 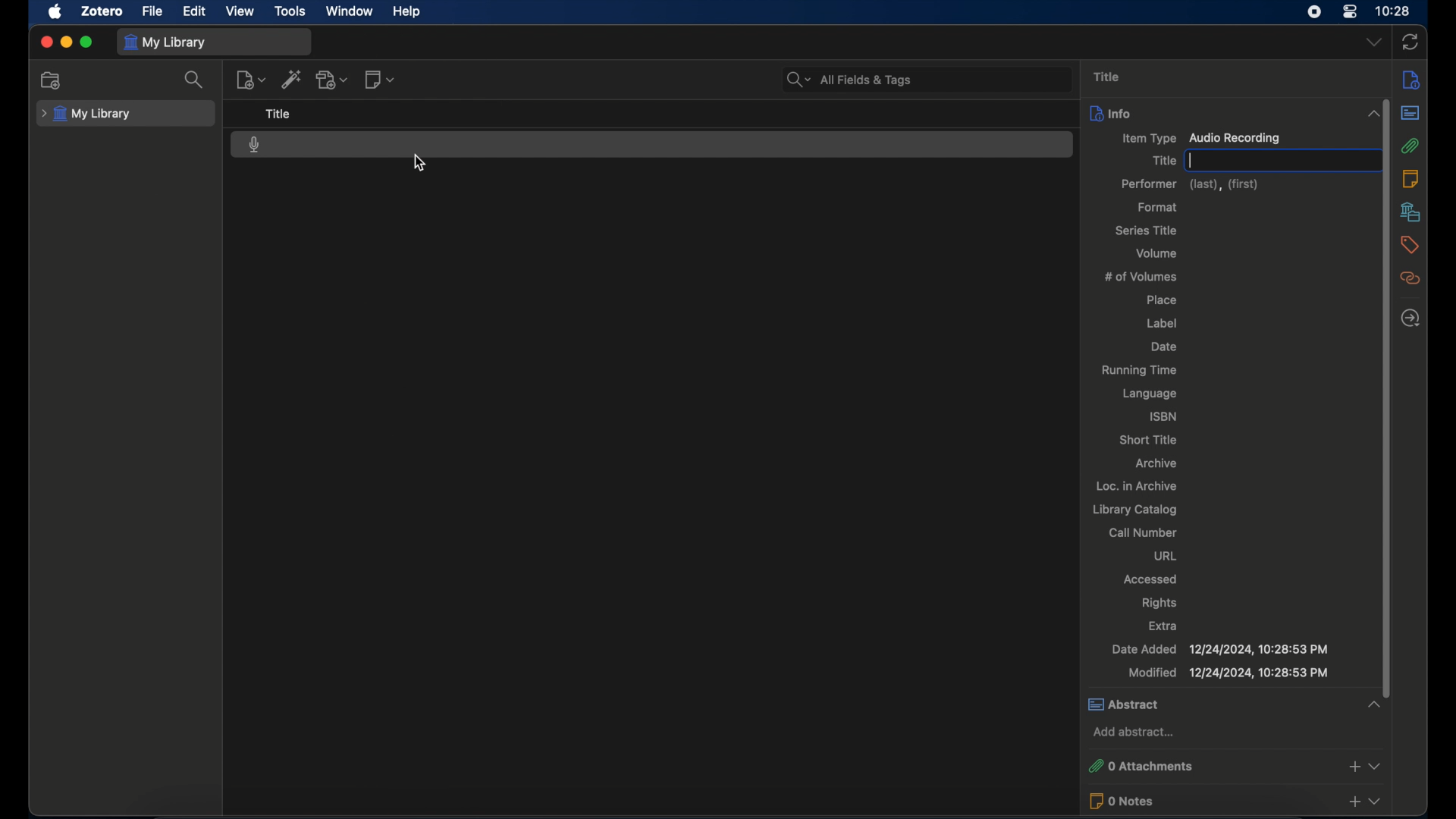 What do you see at coordinates (1314, 11) in the screenshot?
I see `screen recorder` at bounding box center [1314, 11].